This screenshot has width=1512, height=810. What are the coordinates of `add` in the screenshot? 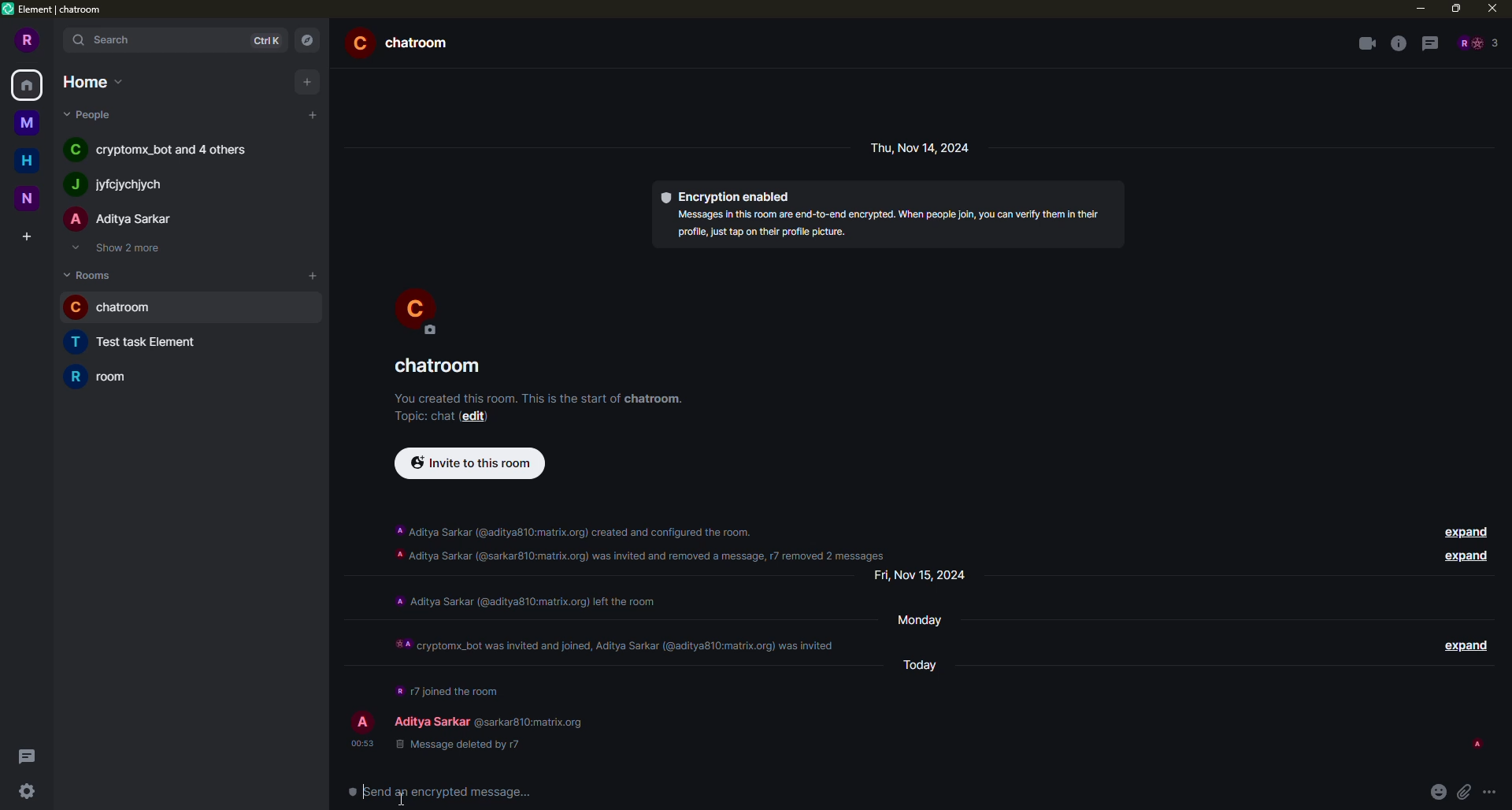 It's located at (314, 114).